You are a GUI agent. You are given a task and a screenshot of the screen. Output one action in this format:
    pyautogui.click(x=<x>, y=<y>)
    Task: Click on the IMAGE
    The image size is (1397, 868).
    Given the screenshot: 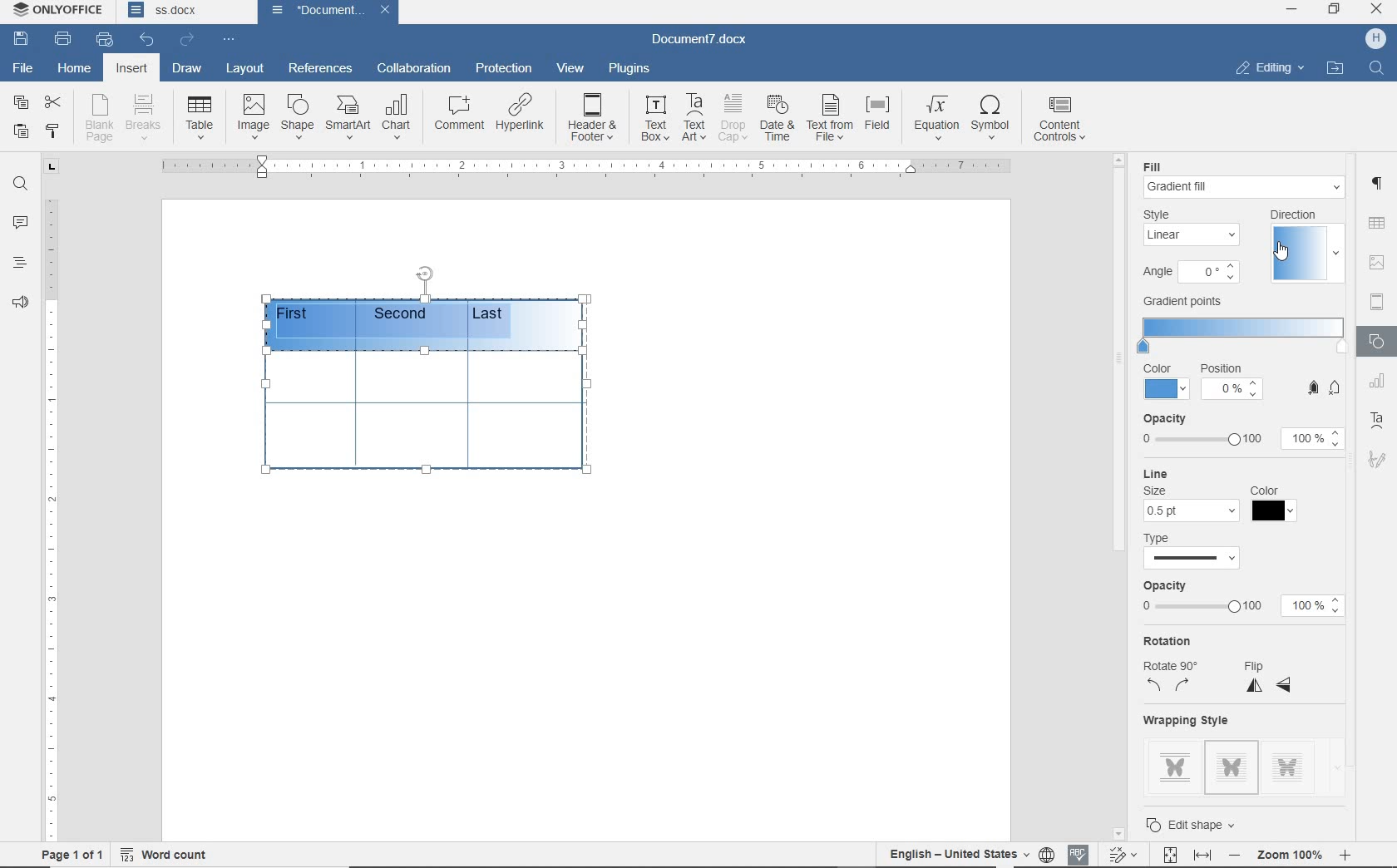 What is the action you would take?
    pyautogui.click(x=1378, y=262)
    